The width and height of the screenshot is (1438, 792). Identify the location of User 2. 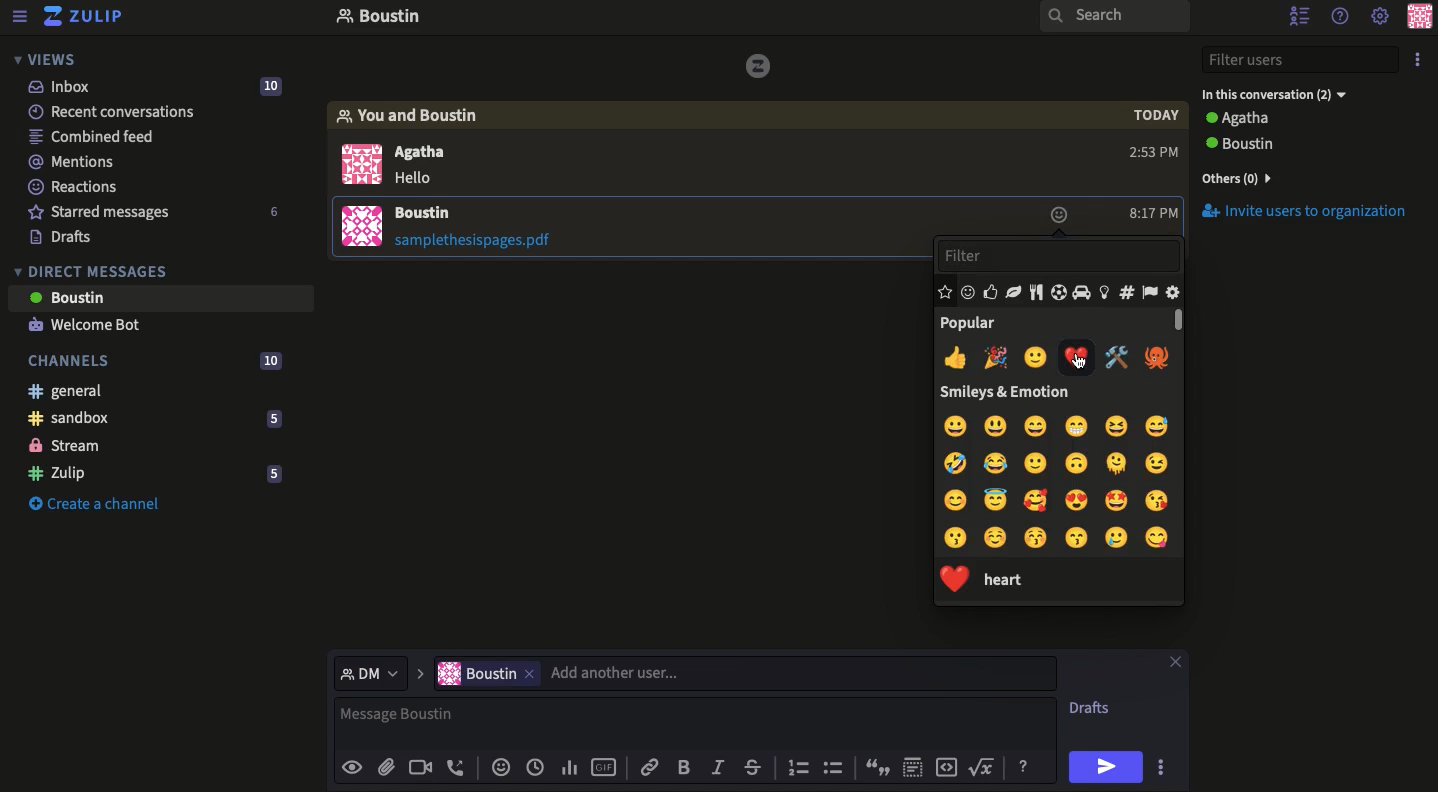
(1292, 144).